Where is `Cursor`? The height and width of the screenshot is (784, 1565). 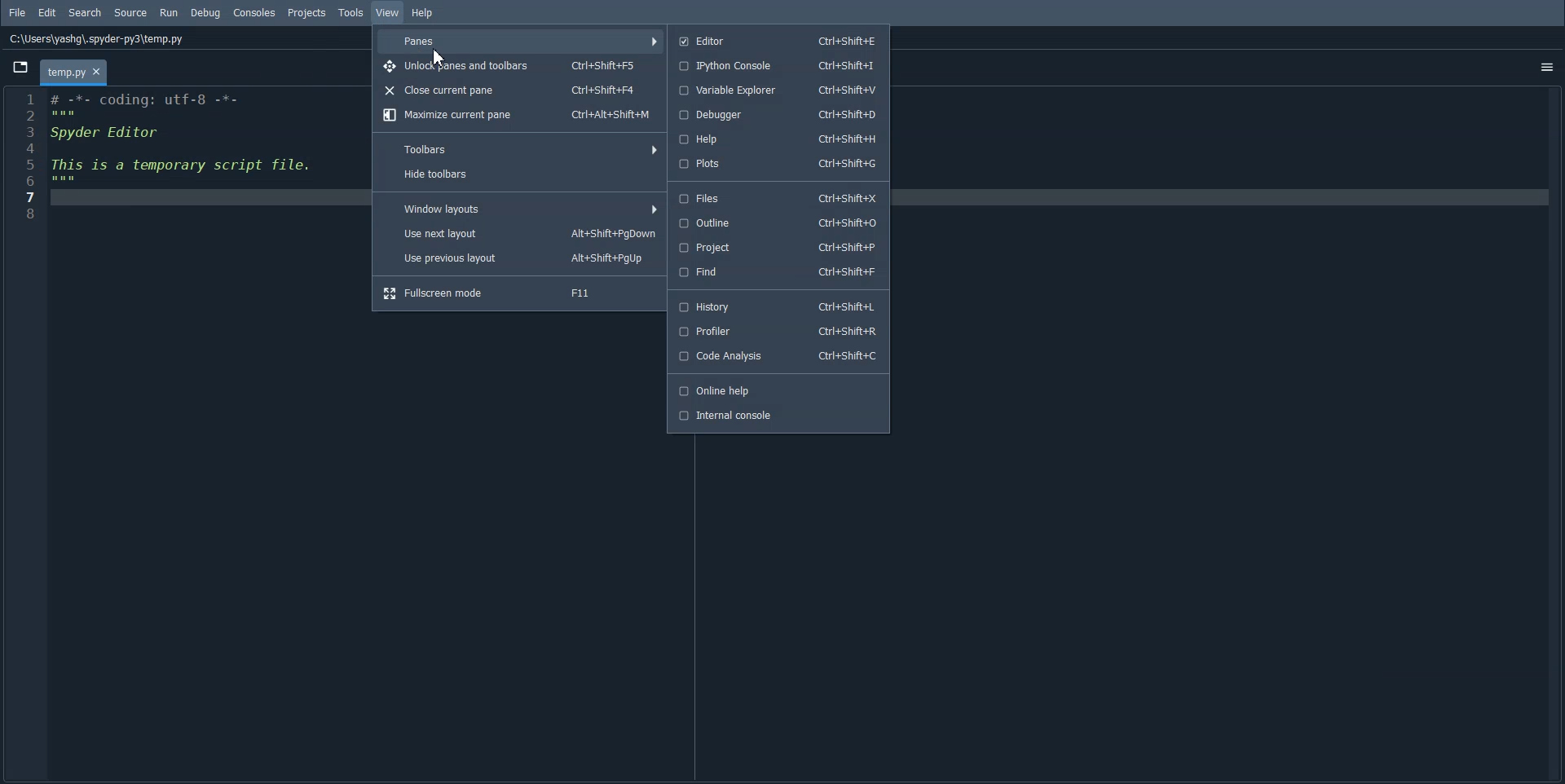
Cursor is located at coordinates (439, 59).